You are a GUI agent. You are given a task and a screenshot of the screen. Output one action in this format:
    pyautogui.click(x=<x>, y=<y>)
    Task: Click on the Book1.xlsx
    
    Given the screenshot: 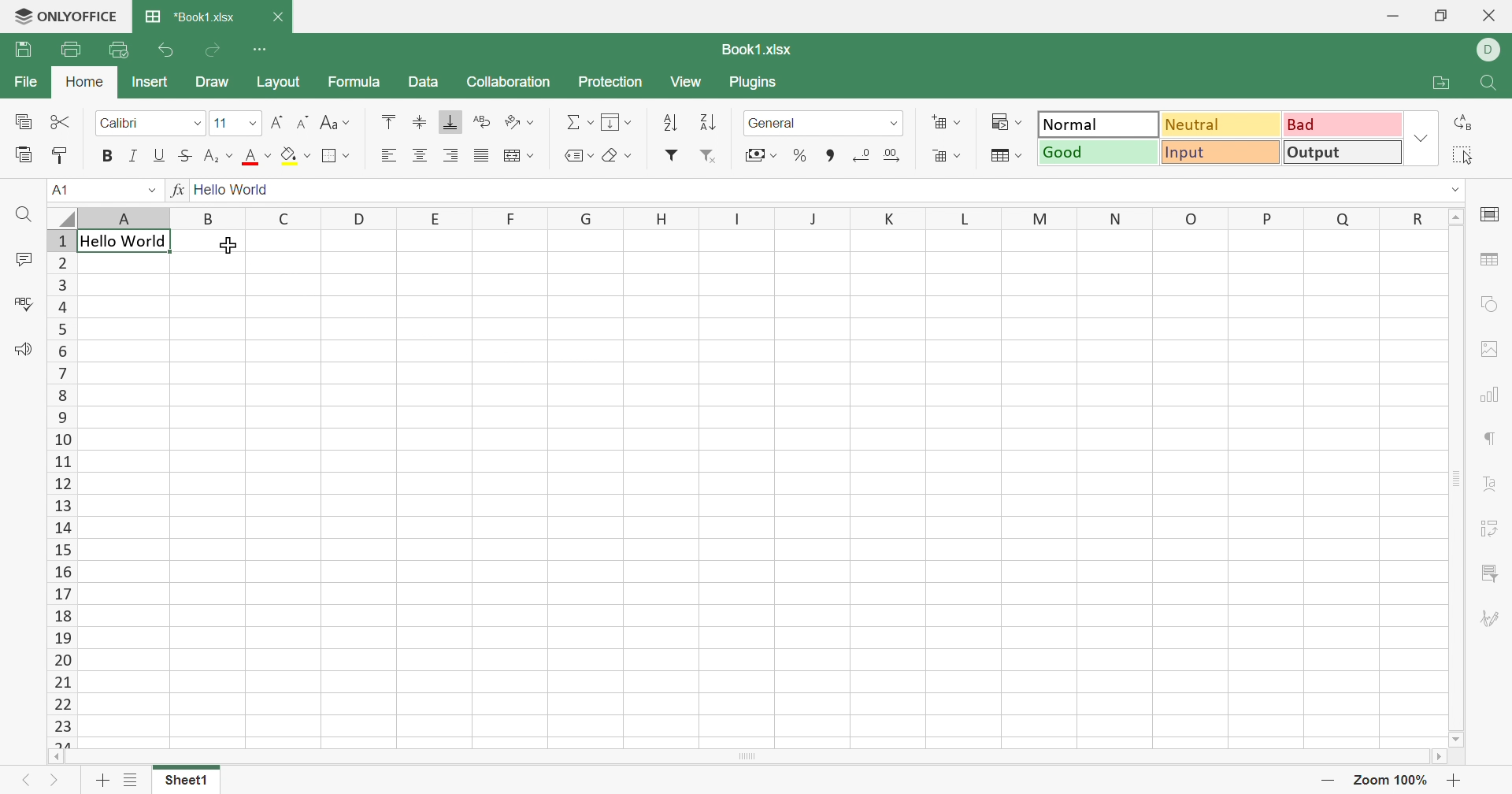 What is the action you would take?
    pyautogui.click(x=754, y=48)
    